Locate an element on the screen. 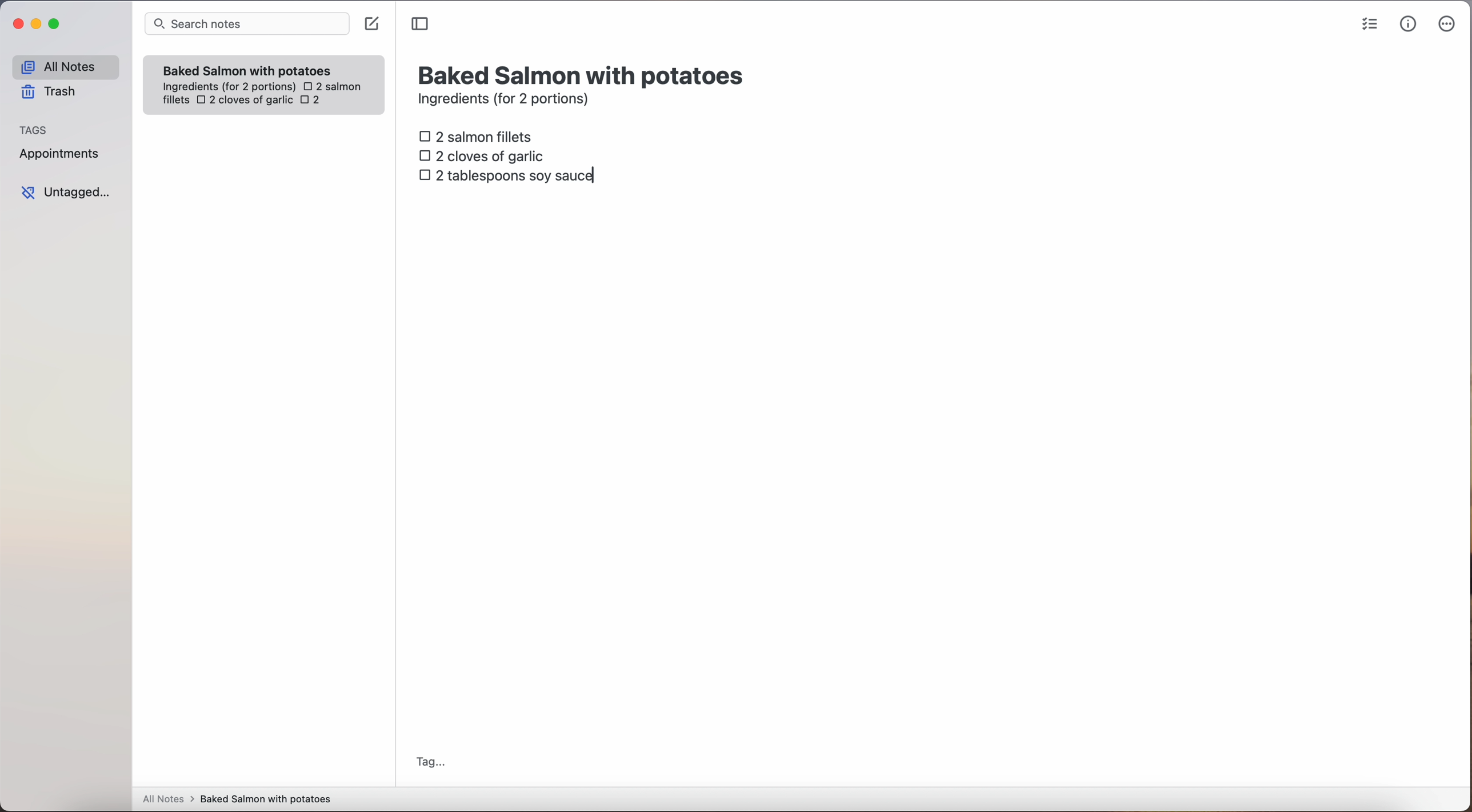 This screenshot has height=812, width=1472. tags is located at coordinates (34, 129).